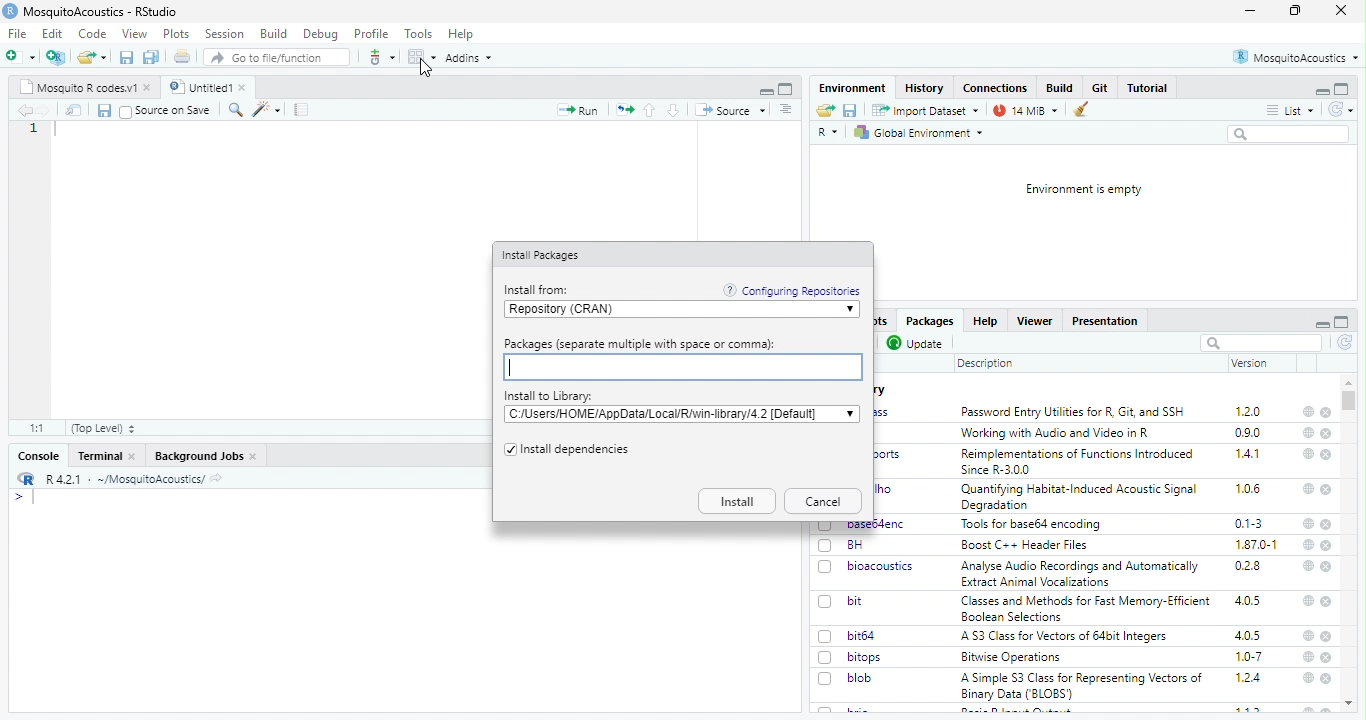  Describe the element at coordinates (421, 57) in the screenshot. I see `grid` at that location.